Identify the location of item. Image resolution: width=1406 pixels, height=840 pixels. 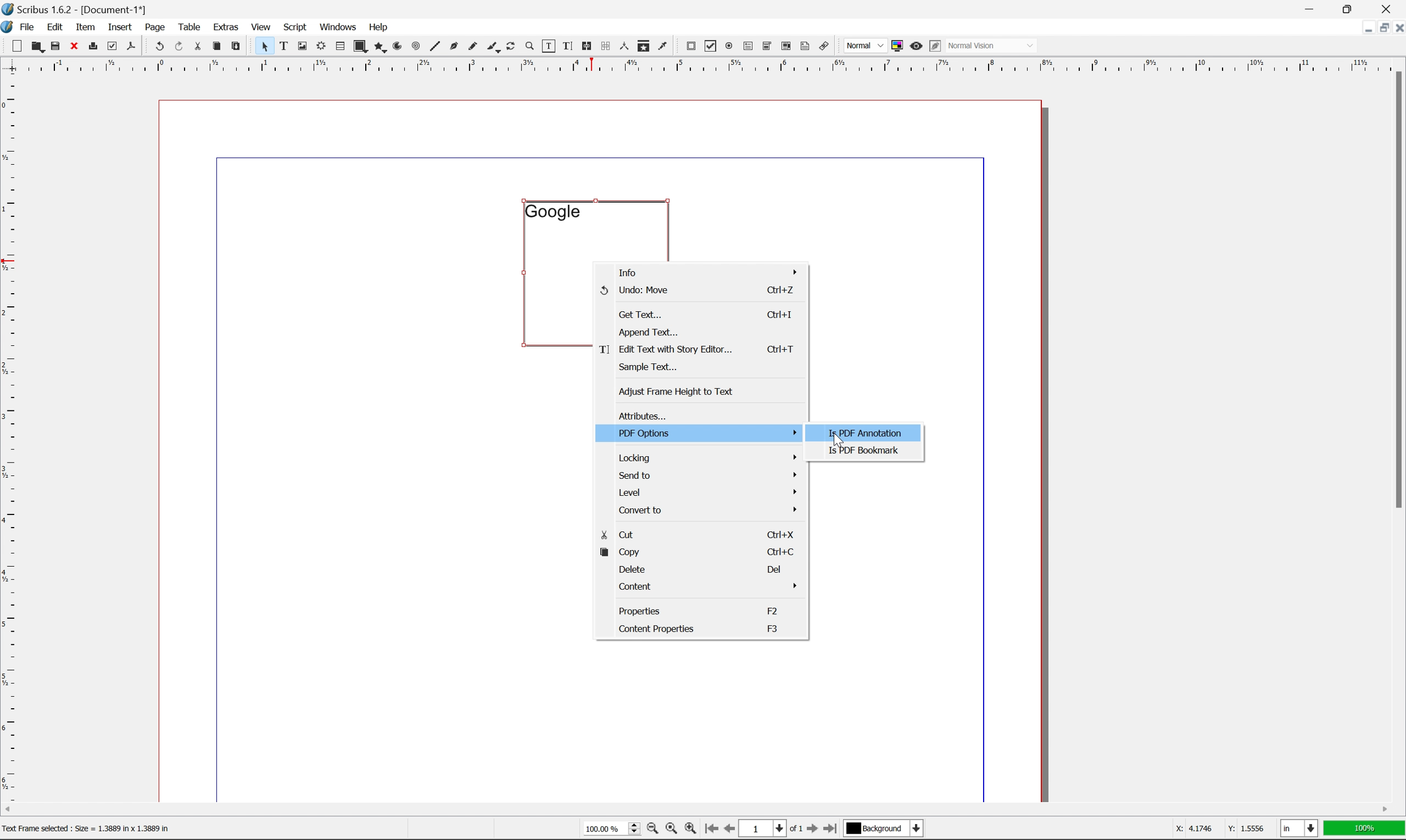
(88, 25).